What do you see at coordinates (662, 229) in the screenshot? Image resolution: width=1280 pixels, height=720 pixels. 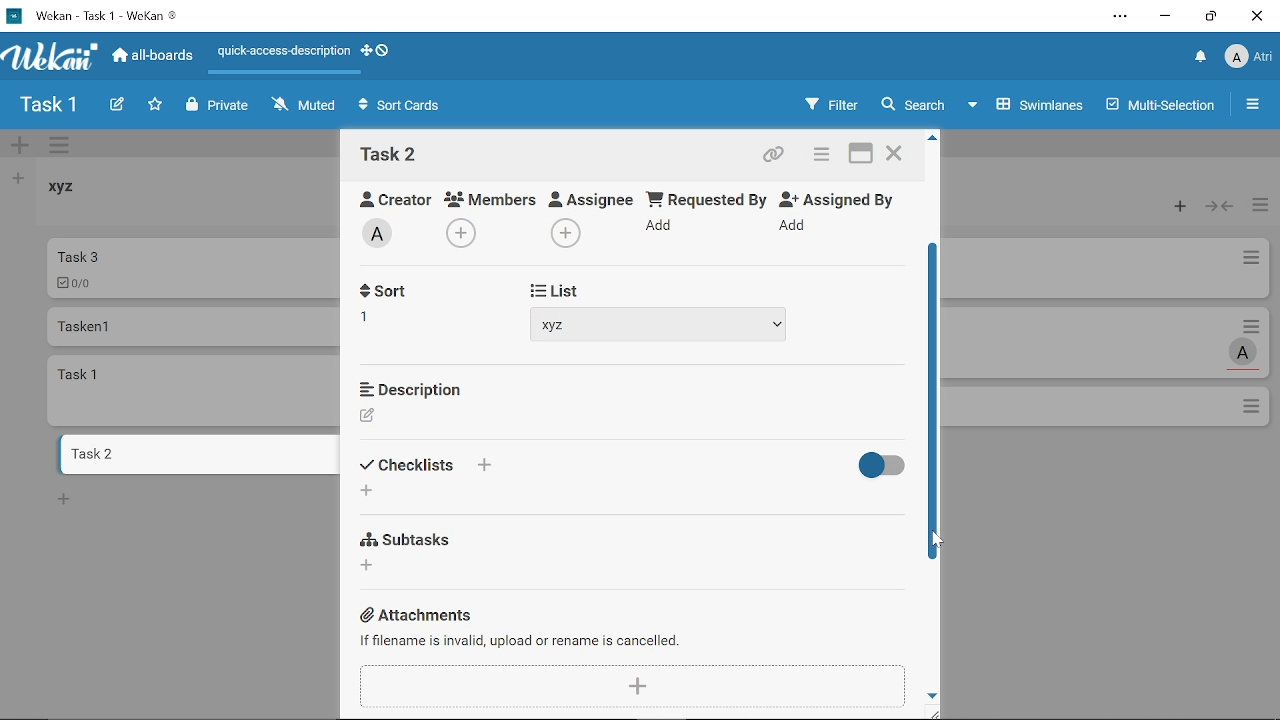 I see `Add` at bounding box center [662, 229].